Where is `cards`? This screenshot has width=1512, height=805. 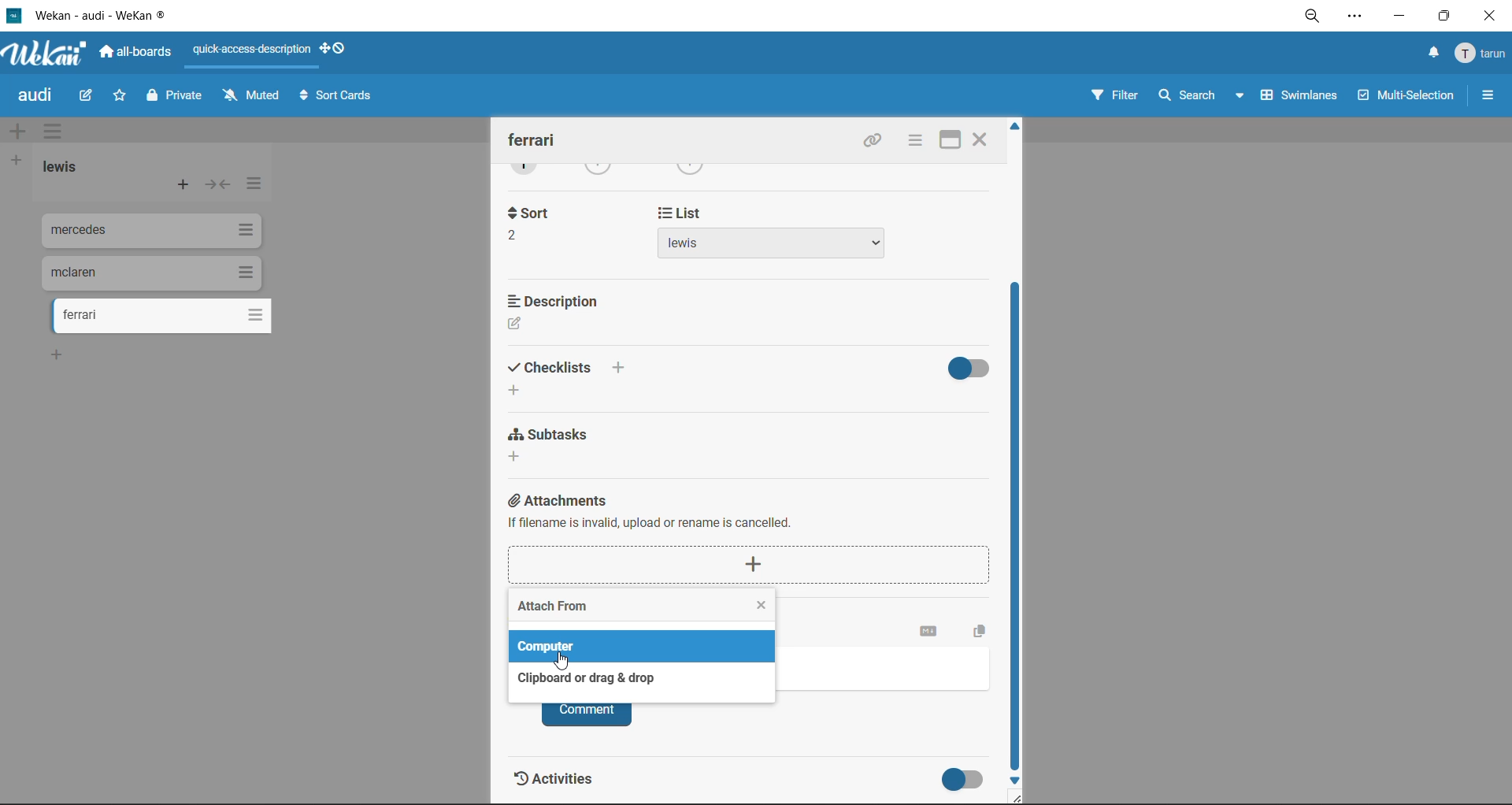
cards is located at coordinates (146, 272).